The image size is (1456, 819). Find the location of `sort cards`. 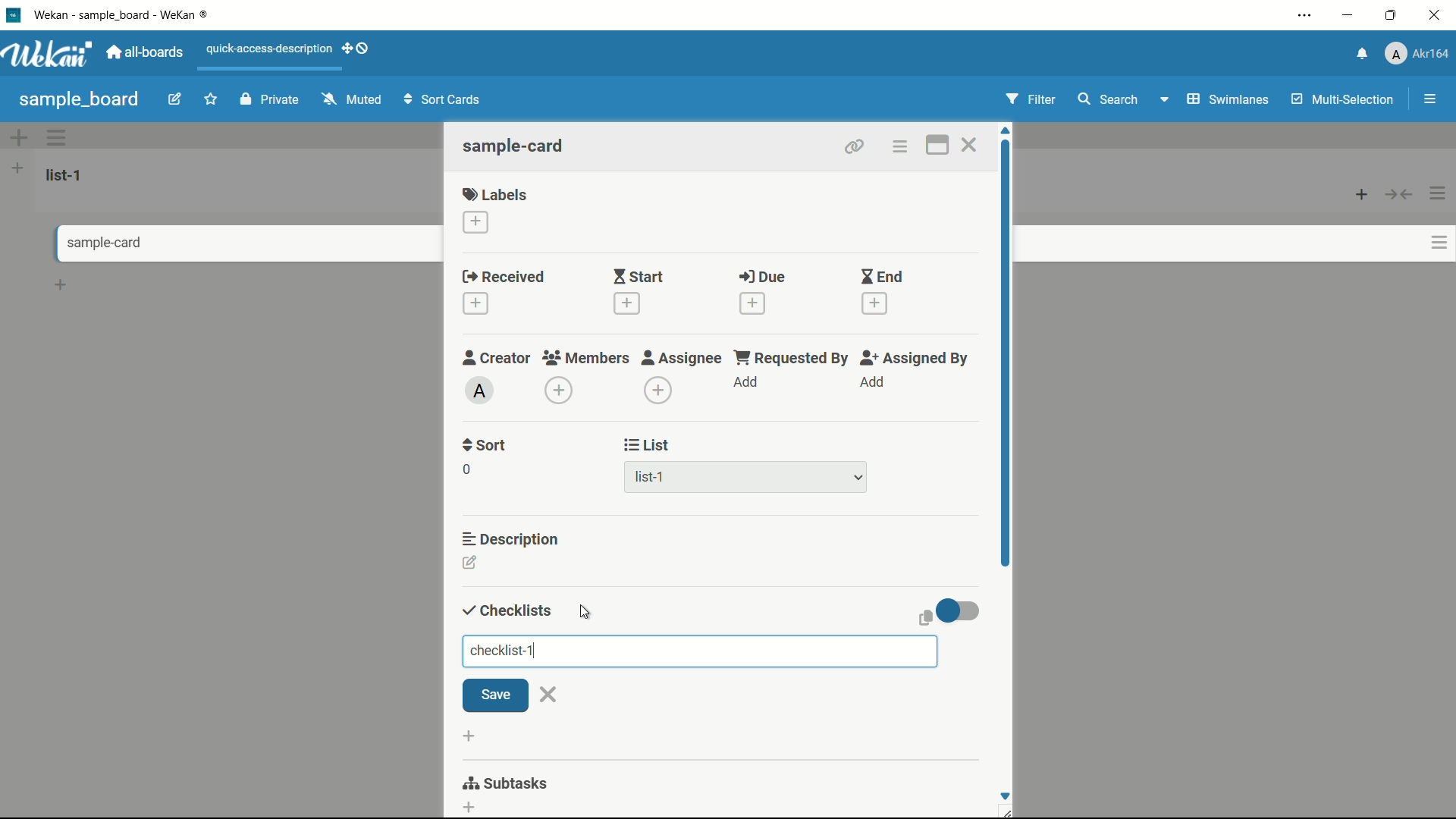

sort cards is located at coordinates (444, 101).